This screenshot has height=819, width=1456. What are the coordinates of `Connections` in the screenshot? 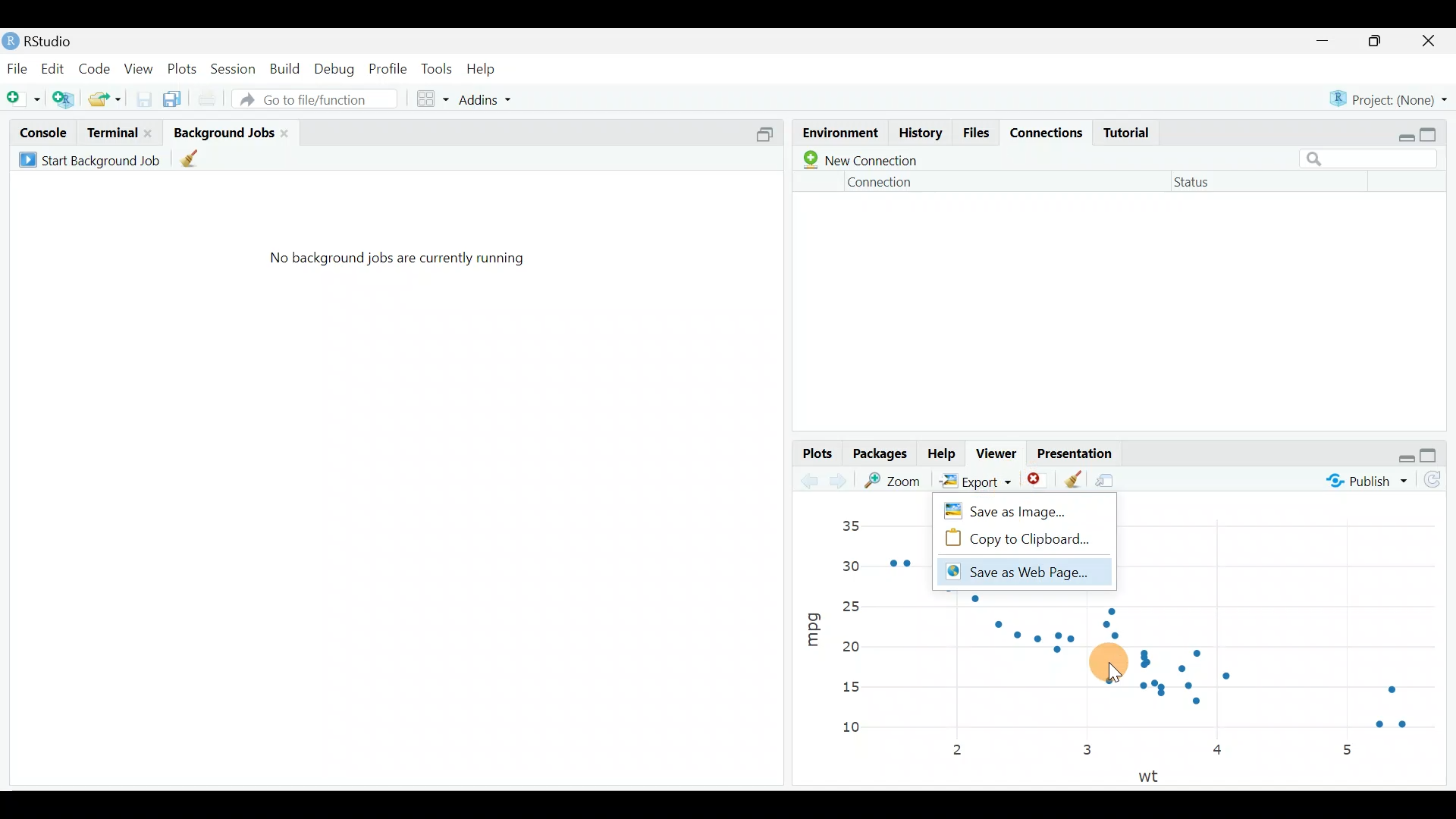 It's located at (1050, 134).